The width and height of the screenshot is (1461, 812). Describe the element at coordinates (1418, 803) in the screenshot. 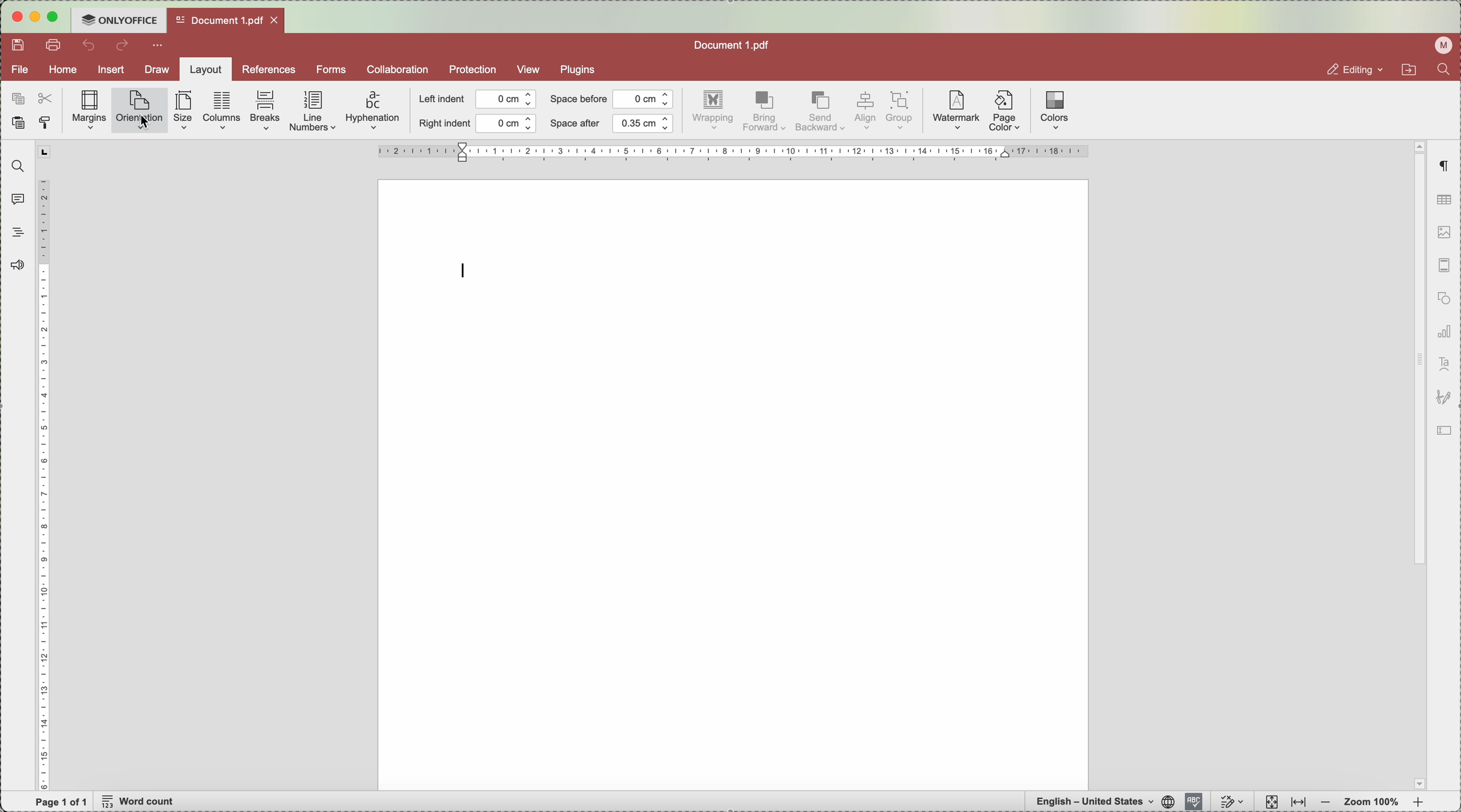

I see `zoom in` at that location.